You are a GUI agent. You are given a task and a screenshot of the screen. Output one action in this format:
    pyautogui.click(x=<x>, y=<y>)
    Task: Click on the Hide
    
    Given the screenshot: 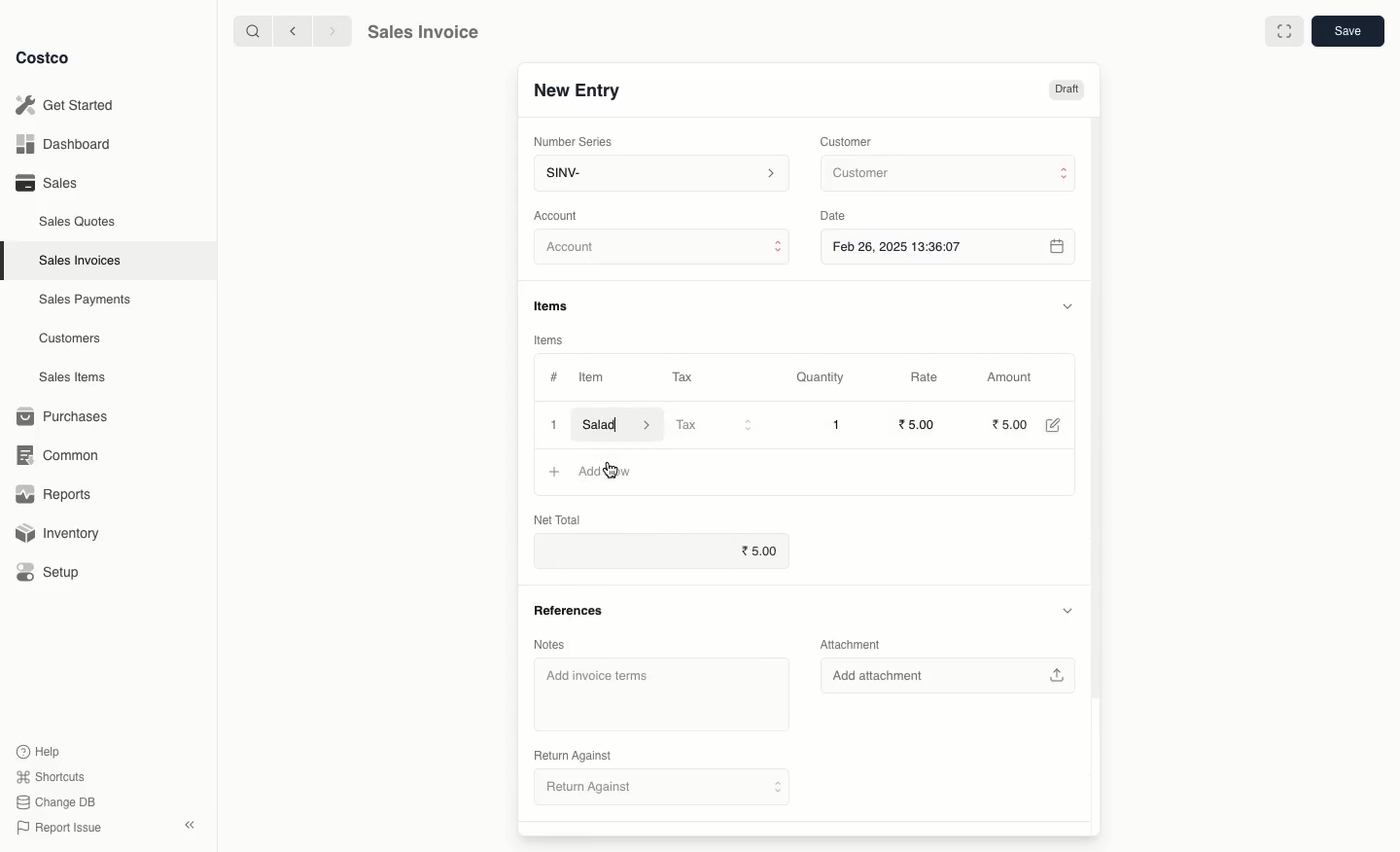 What is the action you would take?
    pyautogui.click(x=1067, y=305)
    